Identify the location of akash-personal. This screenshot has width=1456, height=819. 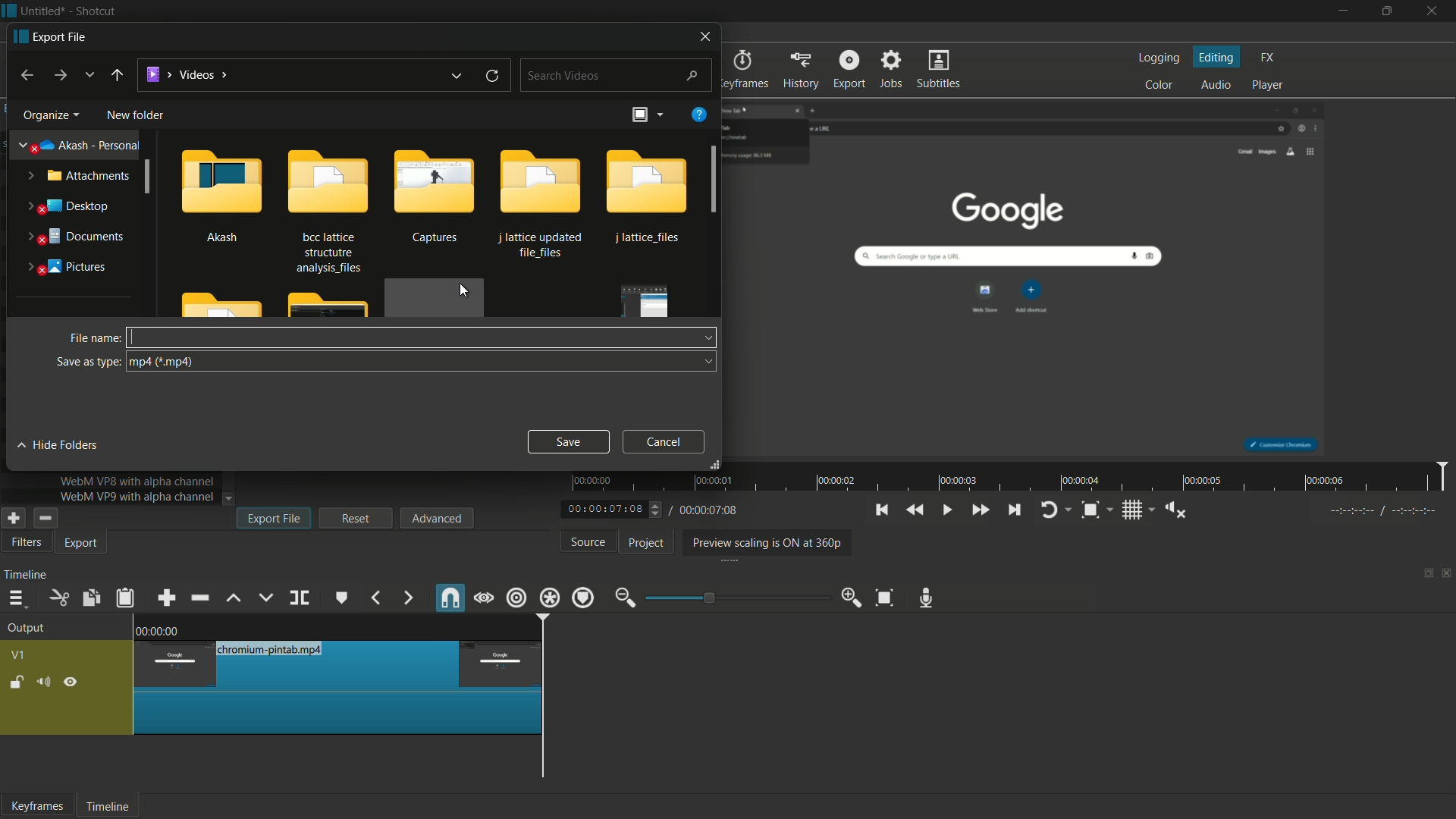
(80, 146).